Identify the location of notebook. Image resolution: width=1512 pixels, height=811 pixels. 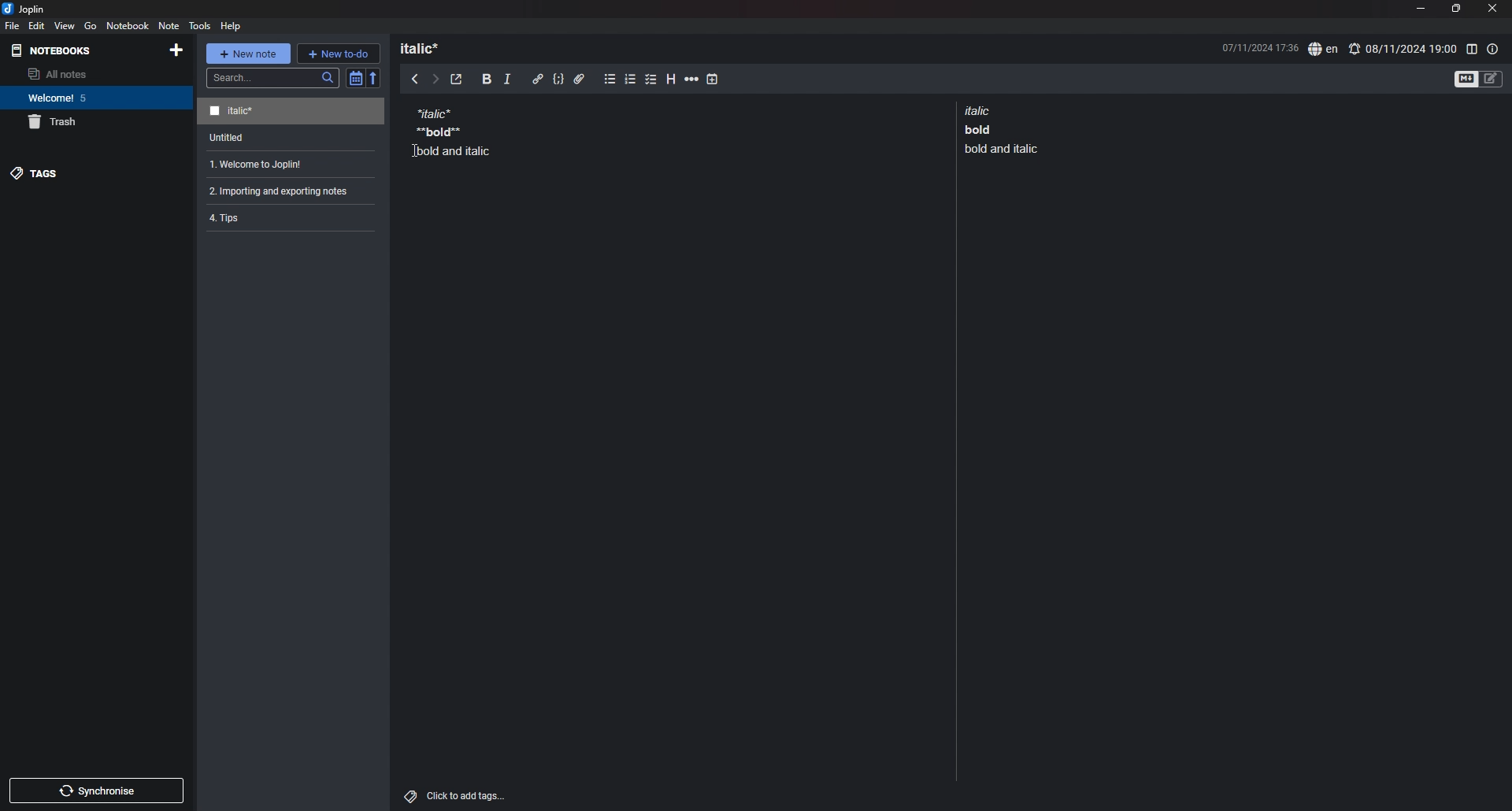
(128, 25).